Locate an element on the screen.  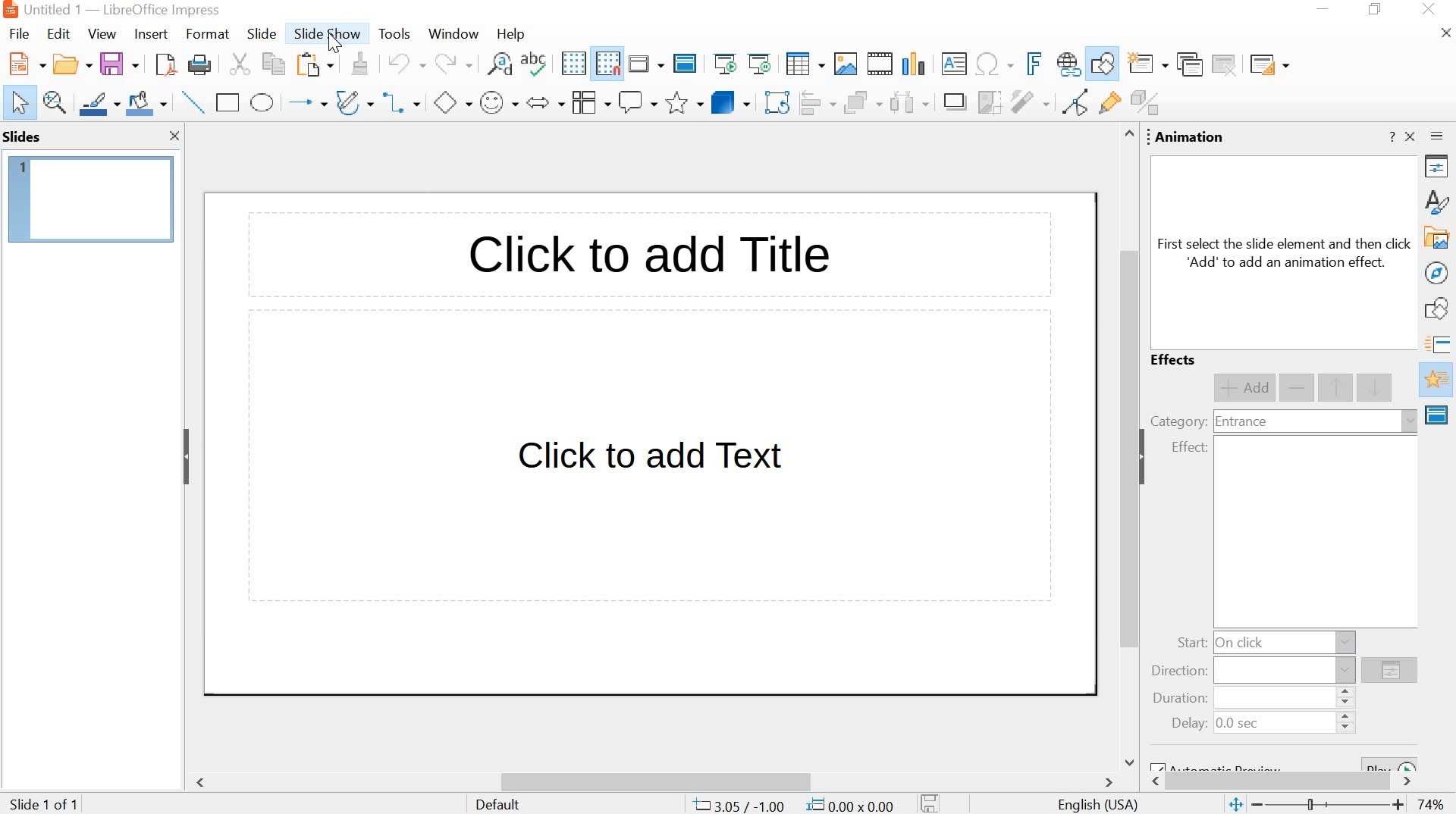
arrange is located at coordinates (861, 104).